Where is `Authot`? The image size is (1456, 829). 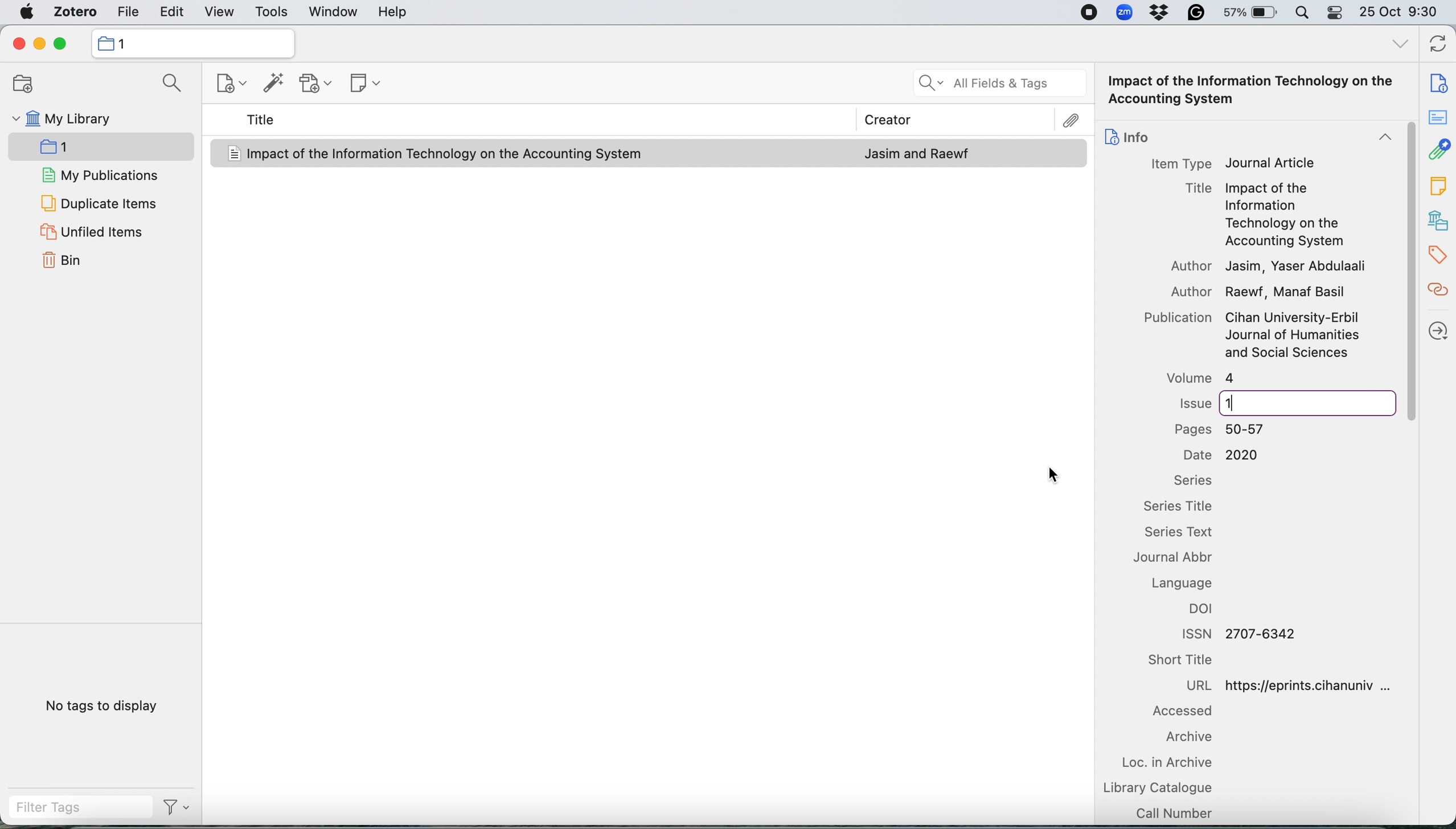
Authot is located at coordinates (1180, 291).